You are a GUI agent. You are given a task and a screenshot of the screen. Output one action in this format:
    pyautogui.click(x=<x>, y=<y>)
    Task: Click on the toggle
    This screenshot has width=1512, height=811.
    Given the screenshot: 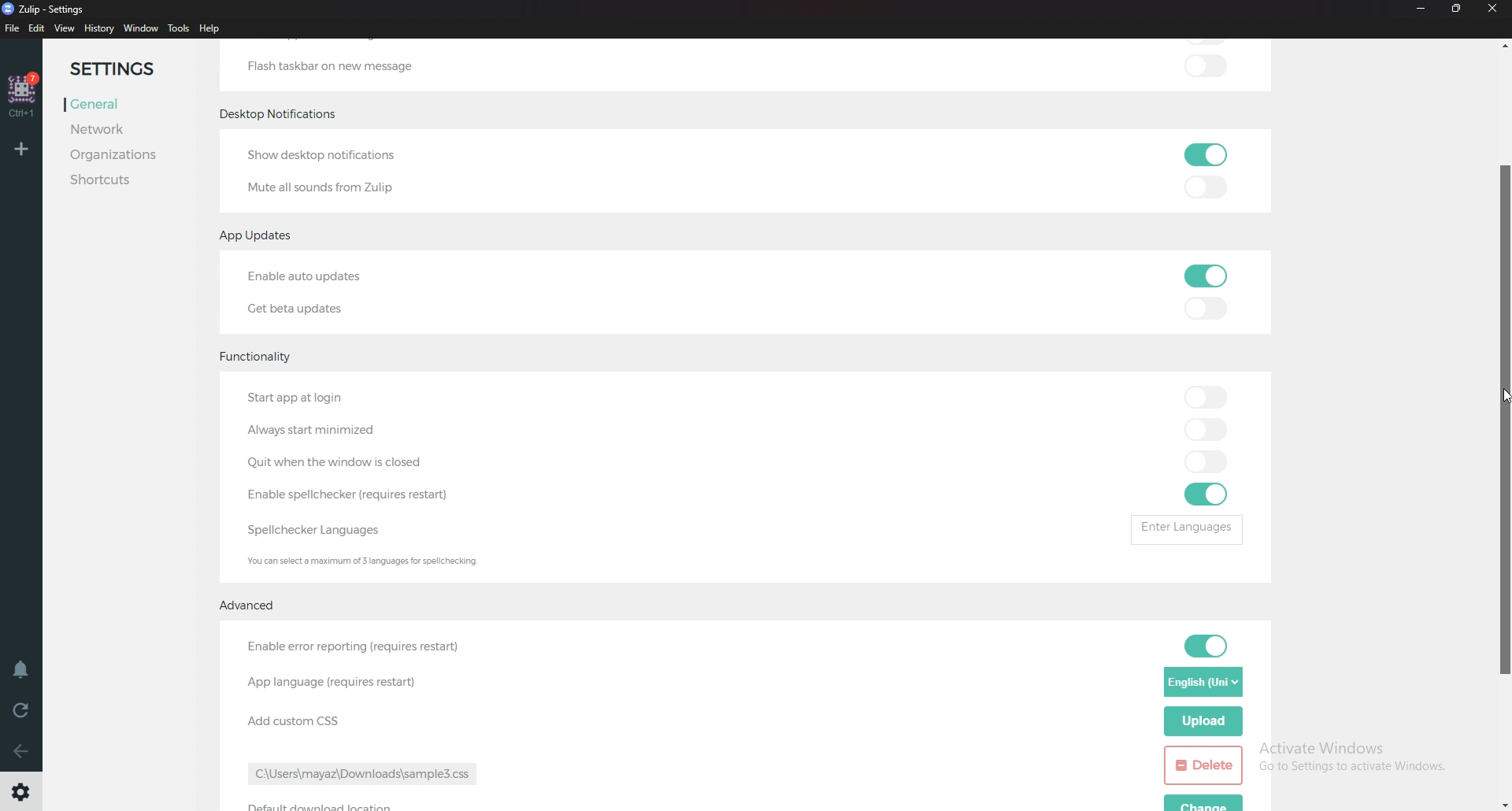 What is the action you would take?
    pyautogui.click(x=1206, y=65)
    